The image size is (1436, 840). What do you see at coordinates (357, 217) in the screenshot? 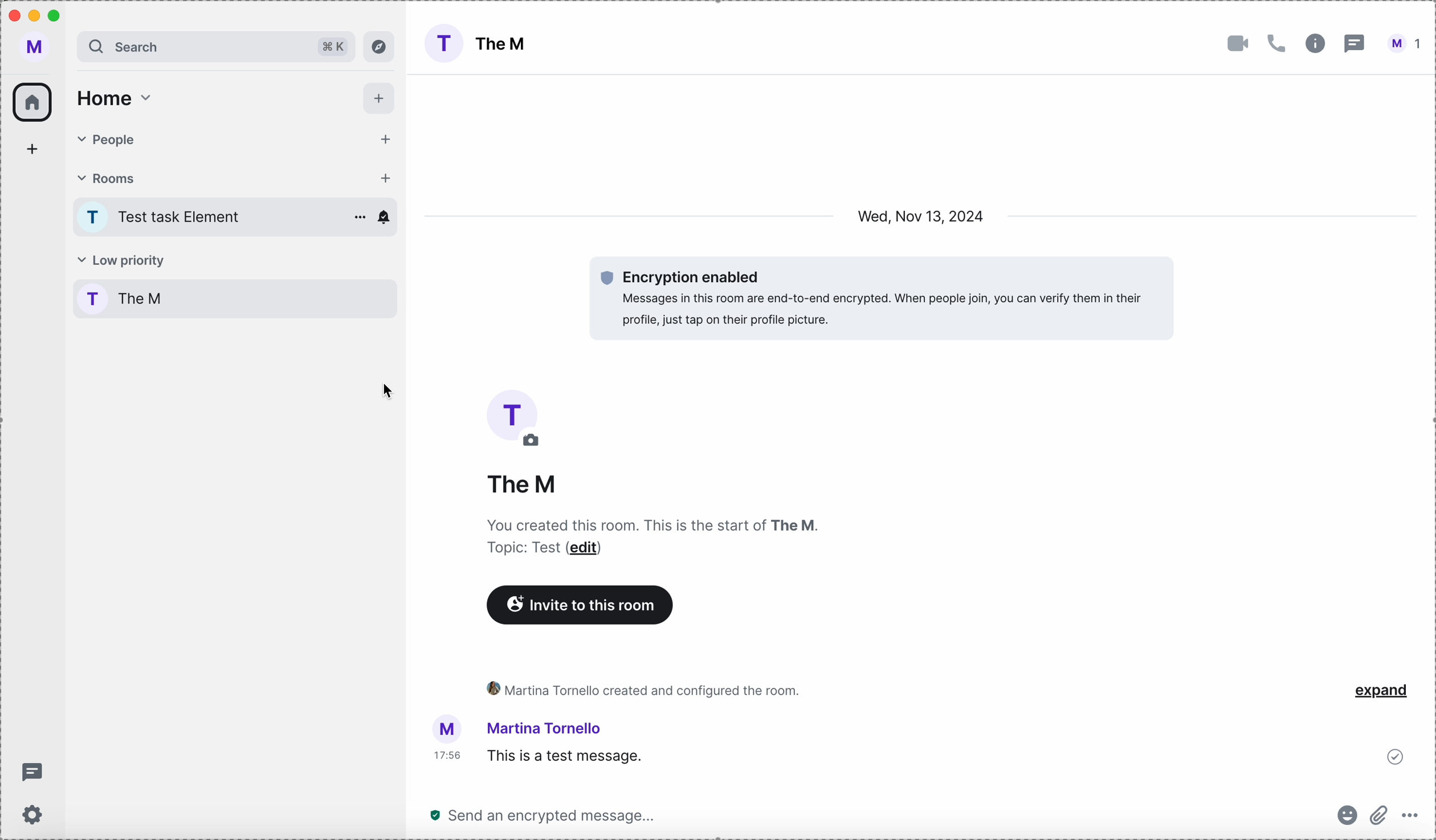
I see `more options` at bounding box center [357, 217].